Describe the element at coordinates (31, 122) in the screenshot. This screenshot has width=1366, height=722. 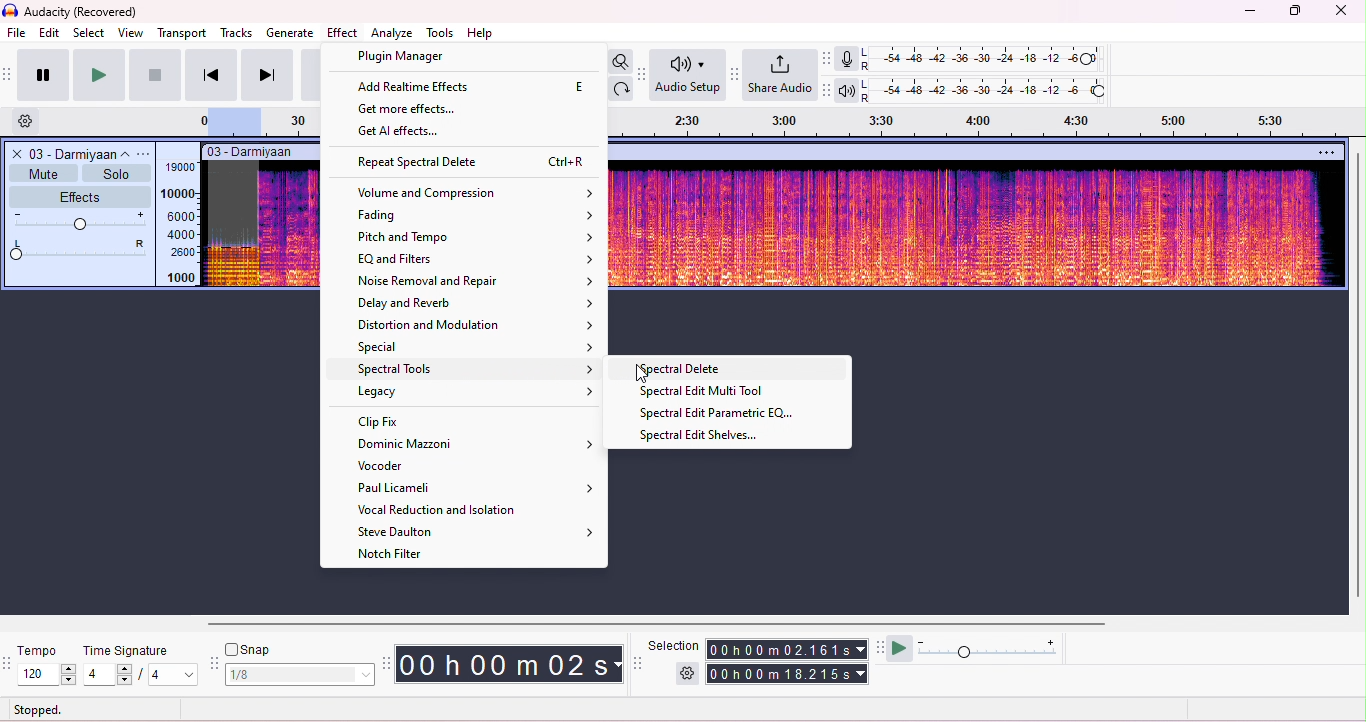
I see `settings` at that location.